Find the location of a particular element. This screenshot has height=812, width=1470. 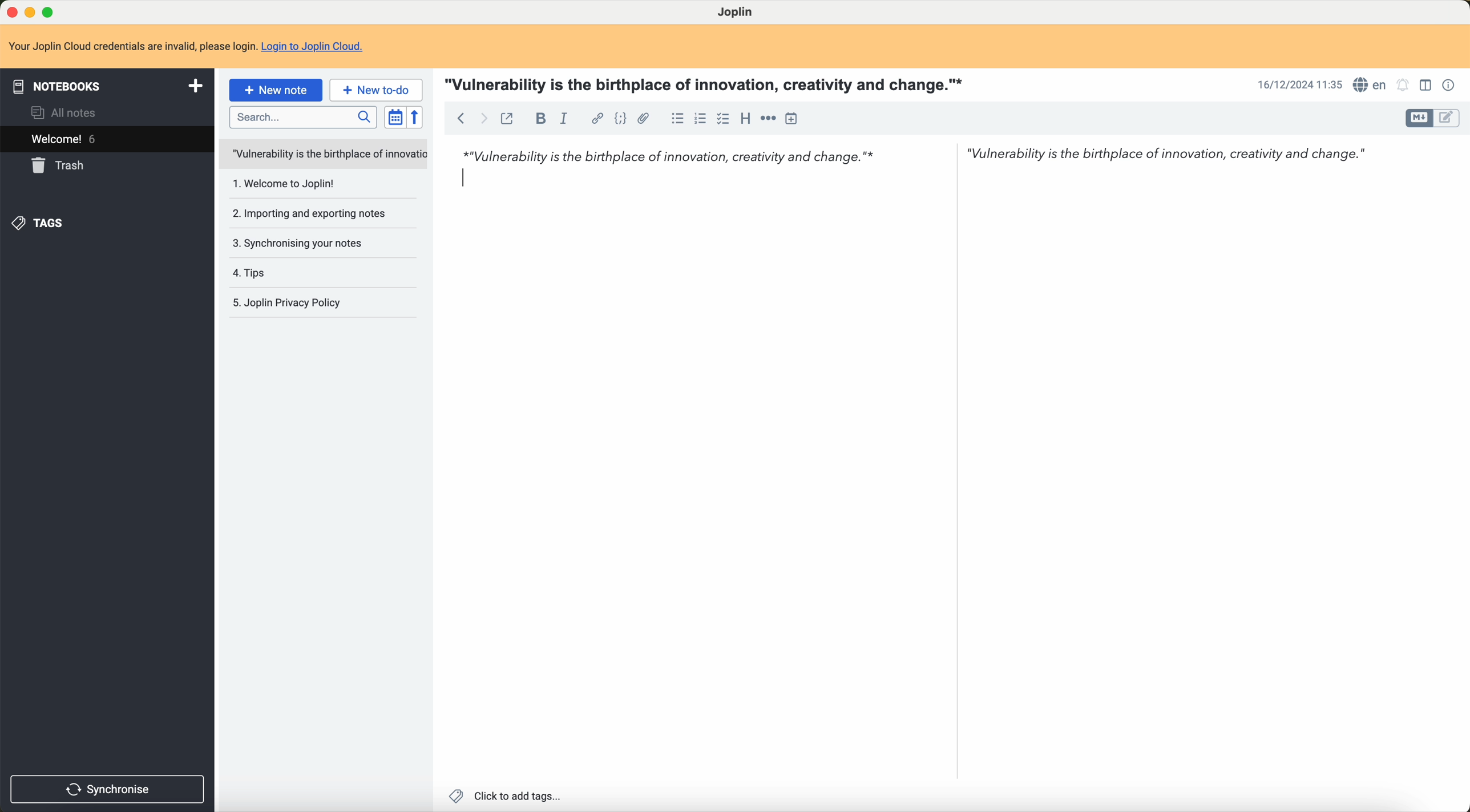

language is located at coordinates (1370, 84).